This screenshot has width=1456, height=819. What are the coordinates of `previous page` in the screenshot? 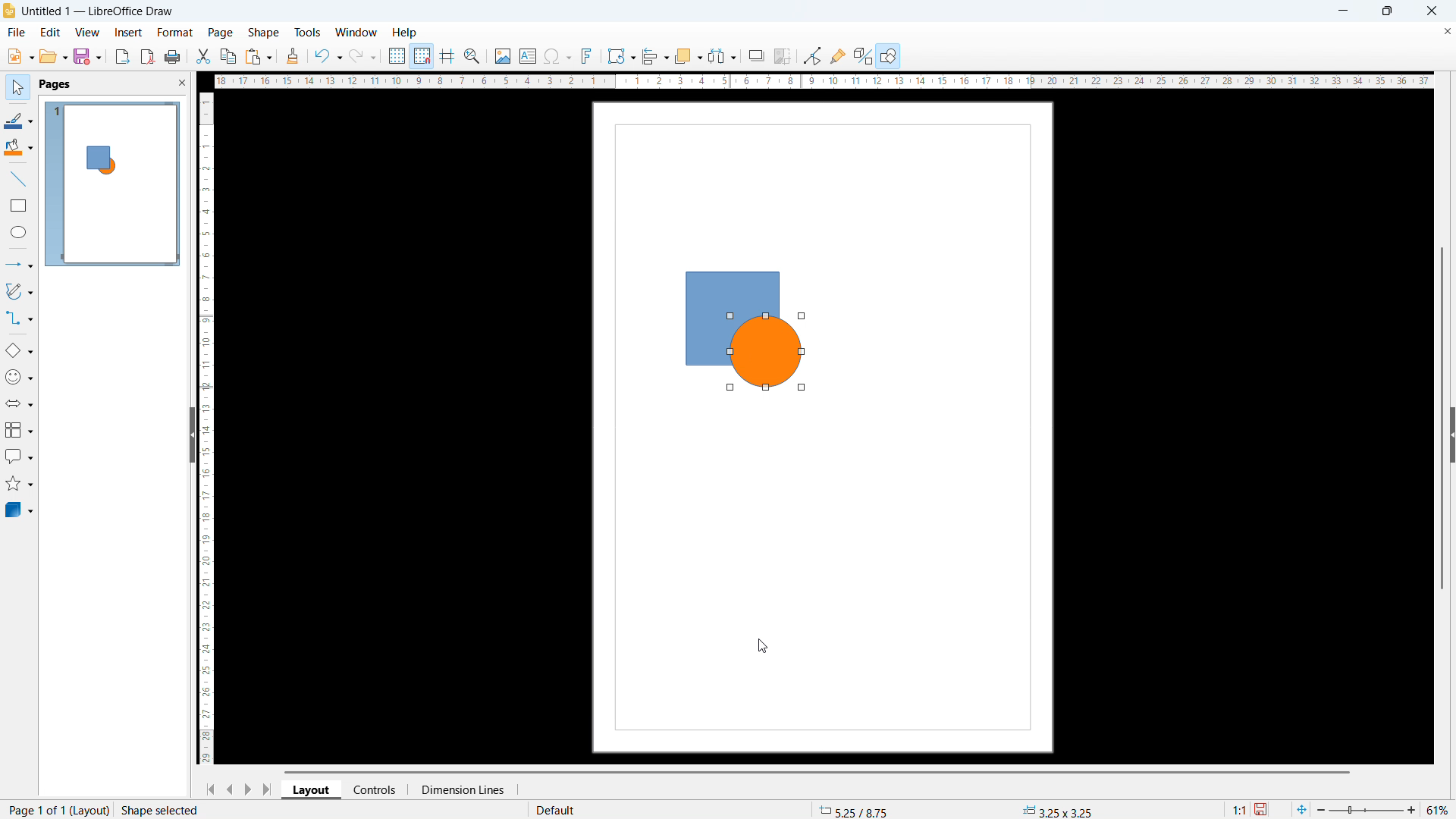 It's located at (231, 789).